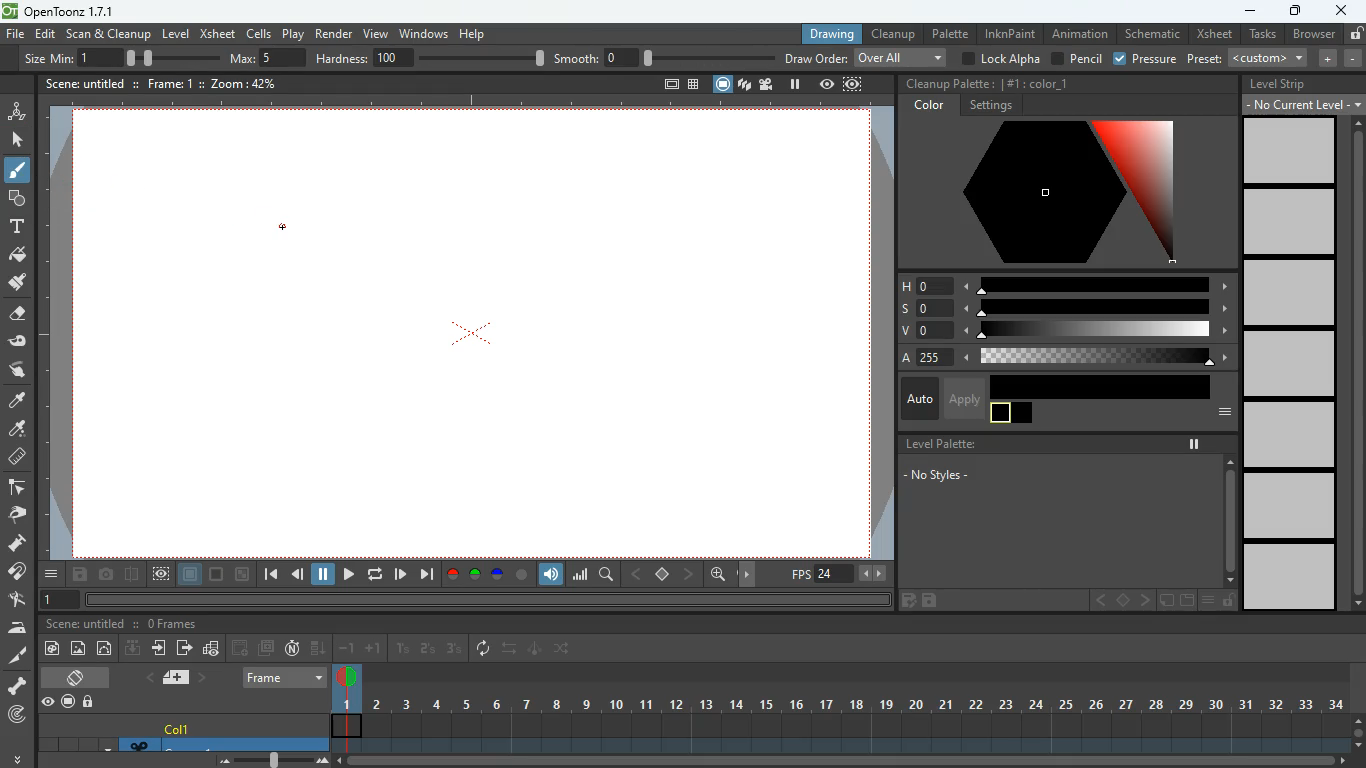 The image size is (1366, 768). I want to click on inknpaint, so click(1010, 33).